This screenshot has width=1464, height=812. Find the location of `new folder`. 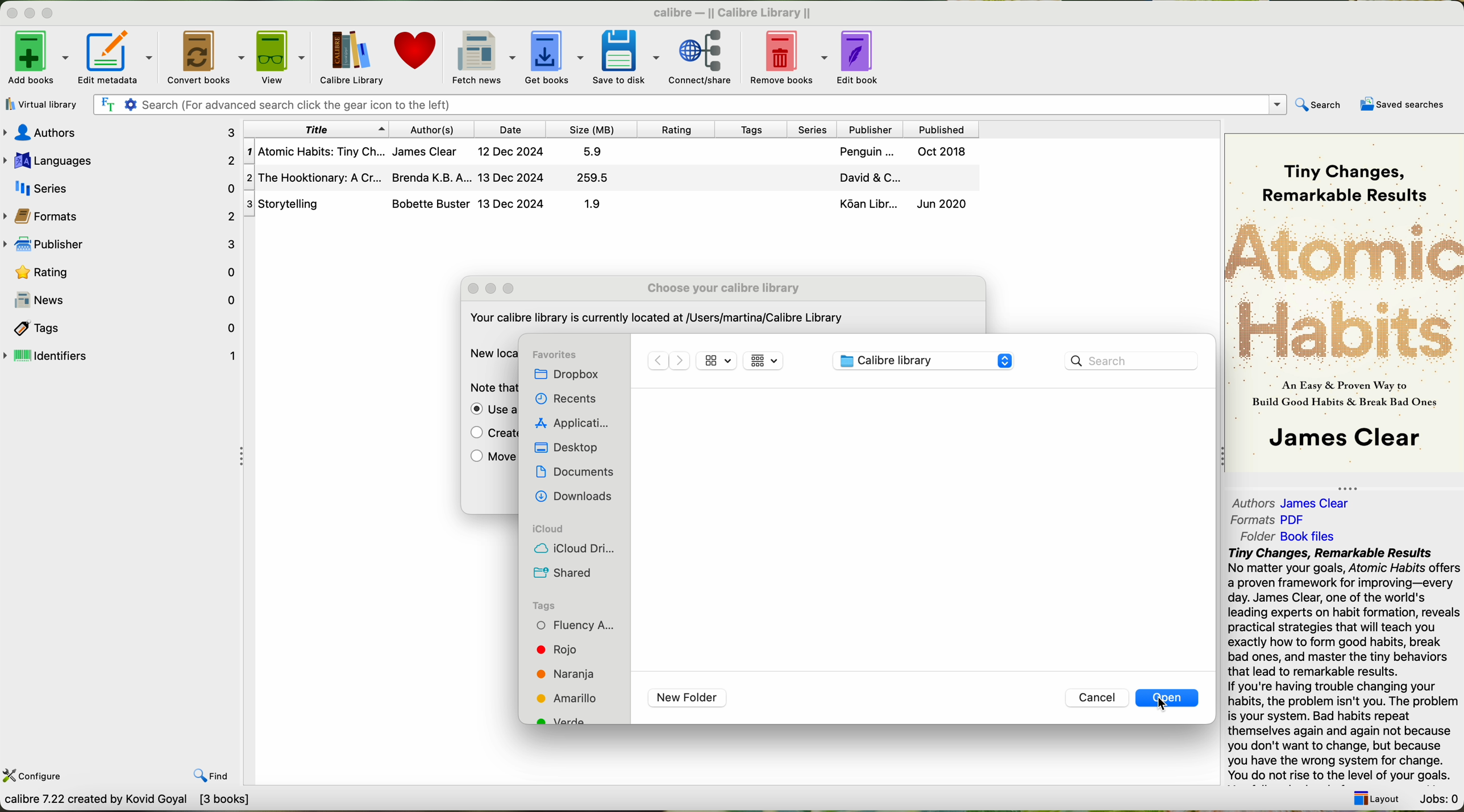

new folder is located at coordinates (686, 698).